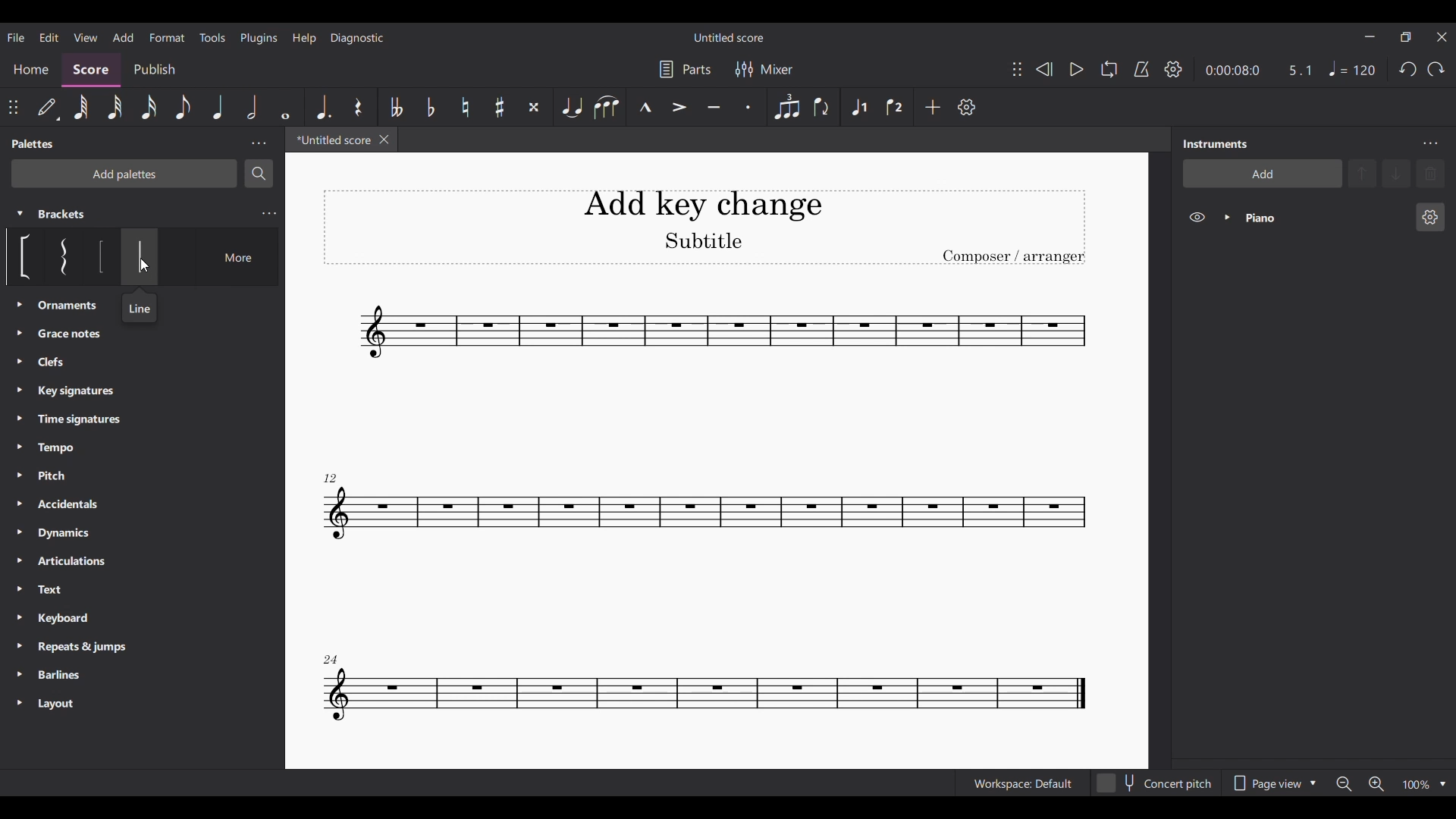 The image size is (1456, 819). Describe the element at coordinates (220, 108) in the screenshot. I see `Quarter note` at that location.